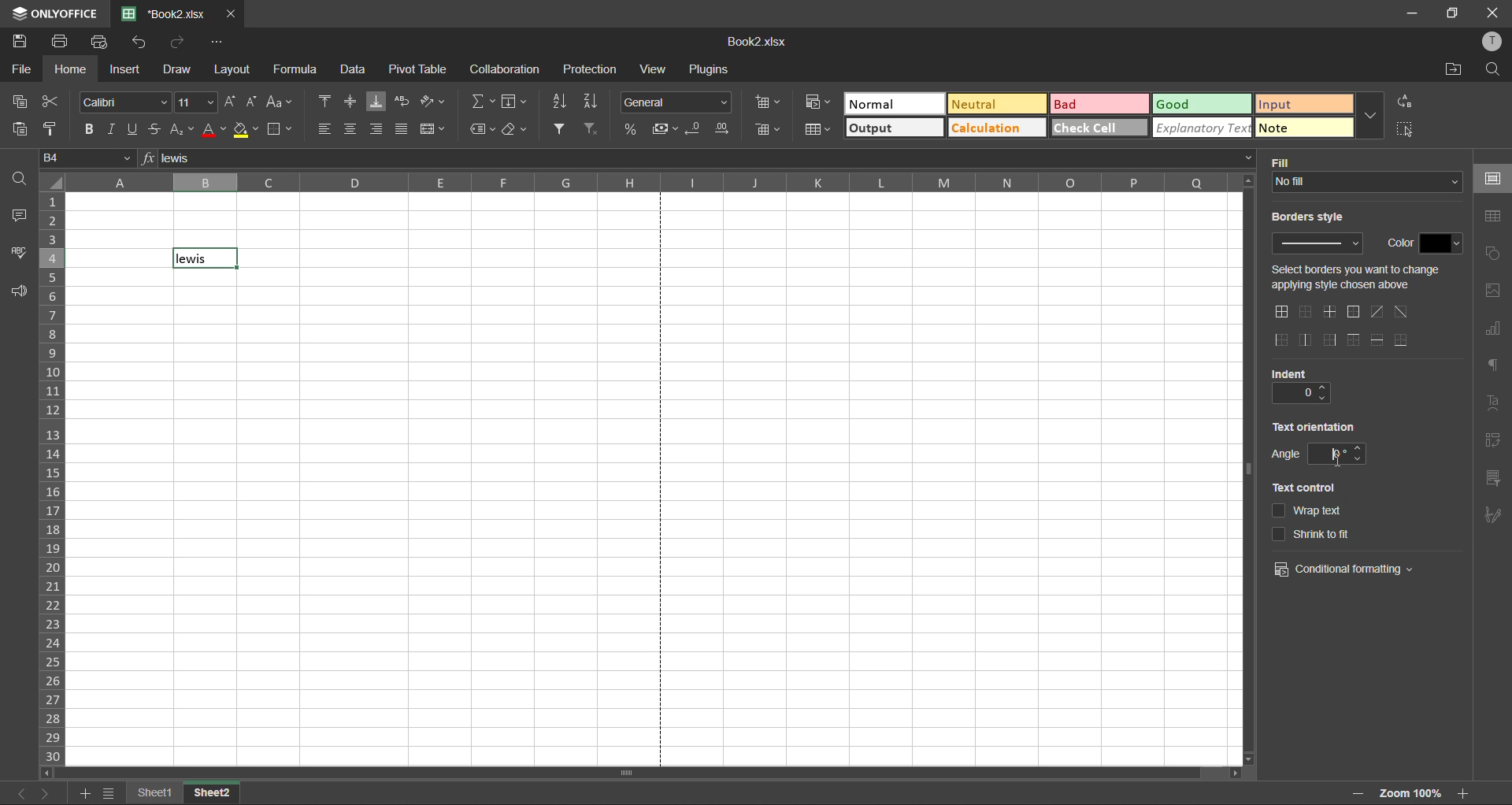 The image size is (1512, 805). What do you see at coordinates (145, 160) in the screenshot?
I see `formula input` at bounding box center [145, 160].